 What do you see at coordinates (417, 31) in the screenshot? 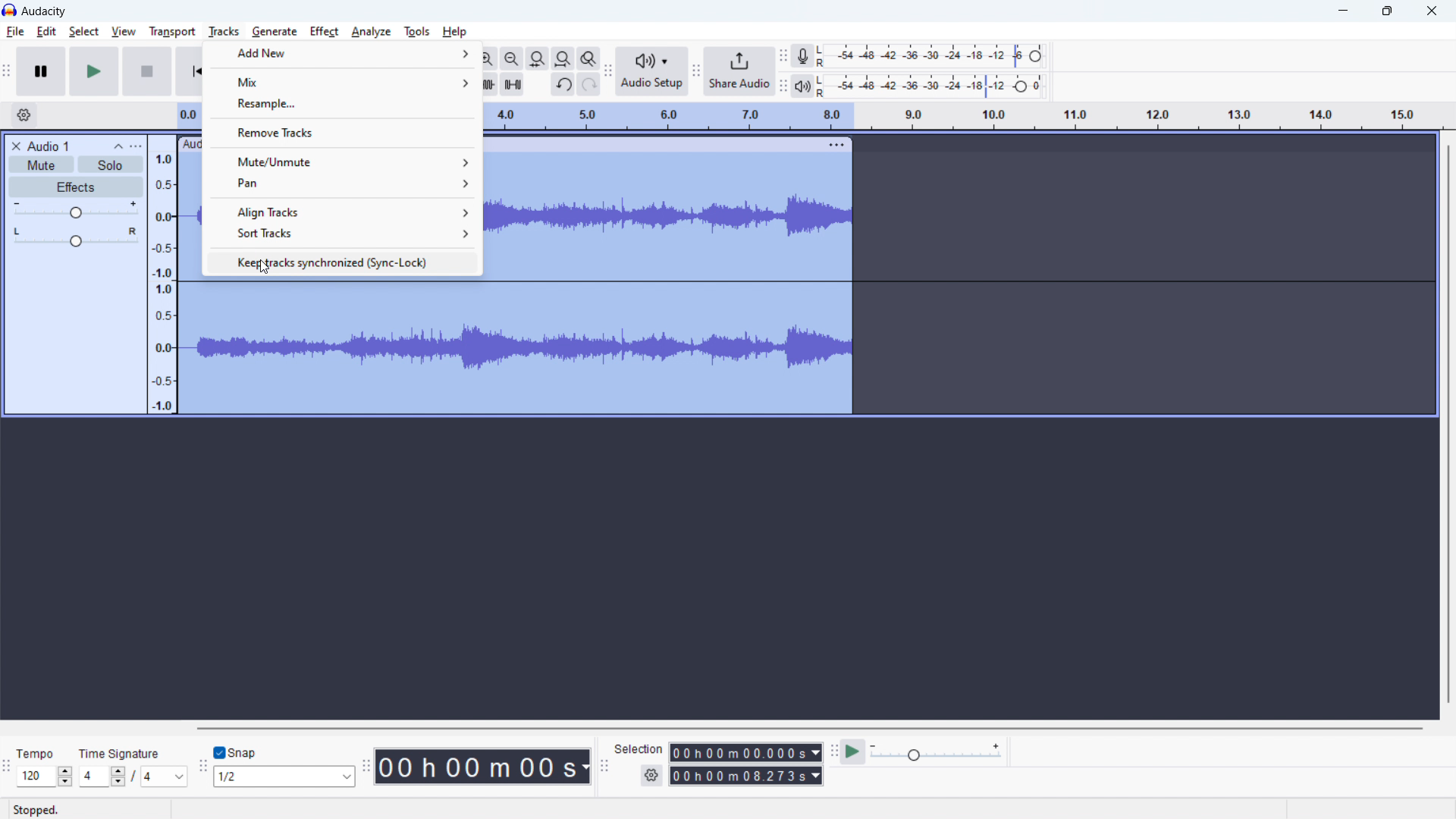
I see `tools` at bounding box center [417, 31].